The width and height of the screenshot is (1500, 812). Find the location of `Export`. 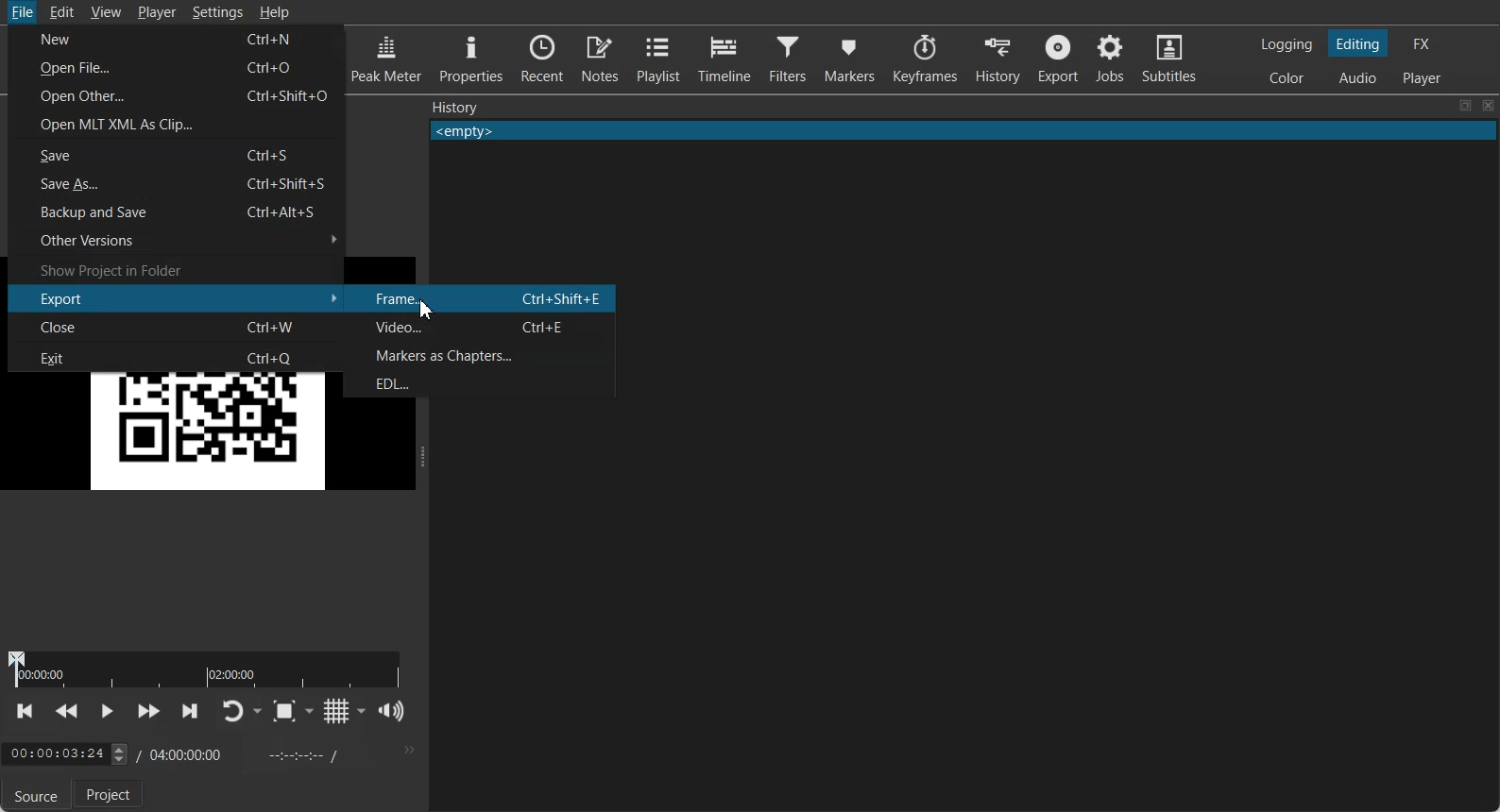

Export is located at coordinates (180, 297).